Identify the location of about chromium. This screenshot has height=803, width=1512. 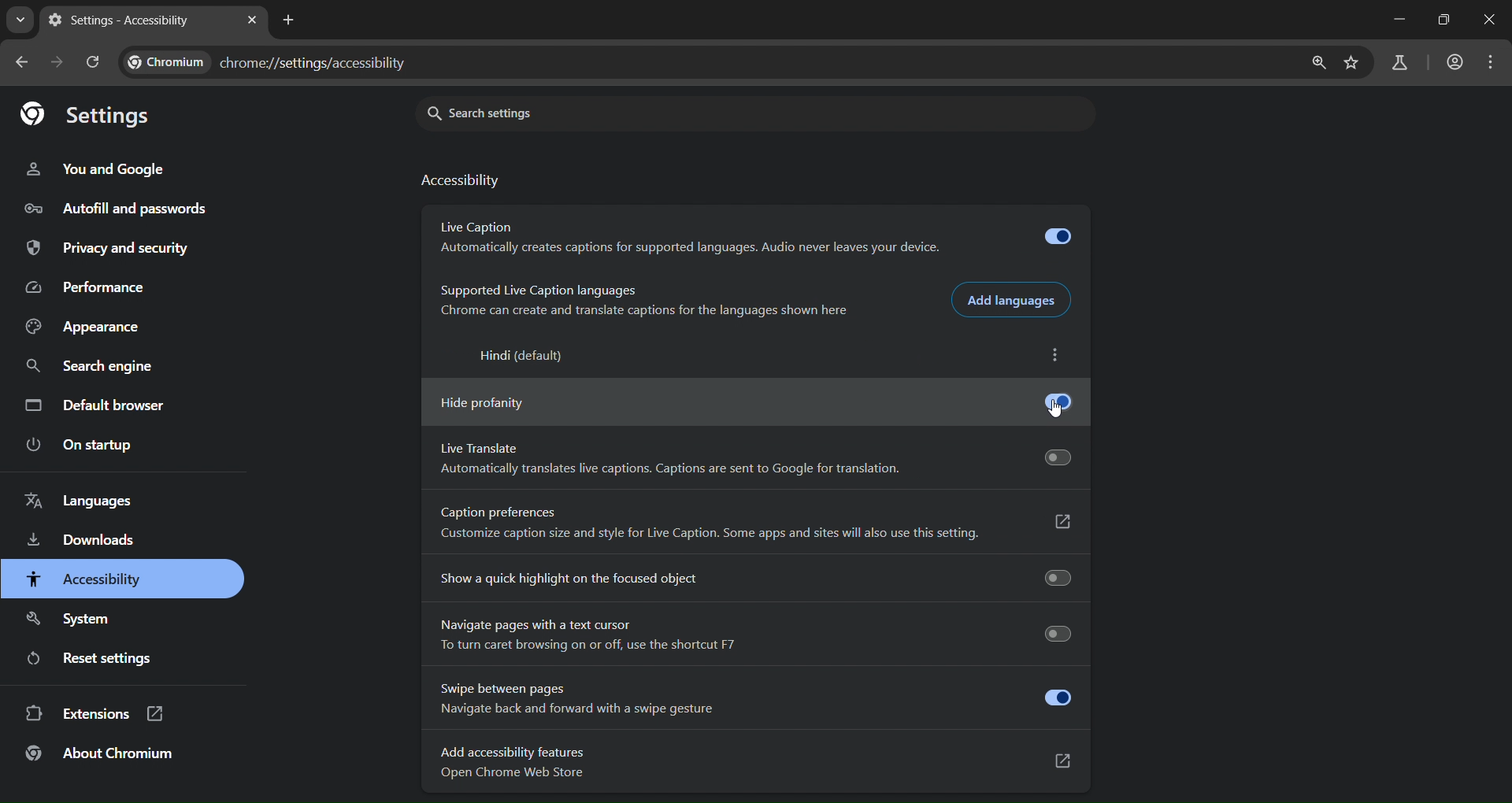
(101, 756).